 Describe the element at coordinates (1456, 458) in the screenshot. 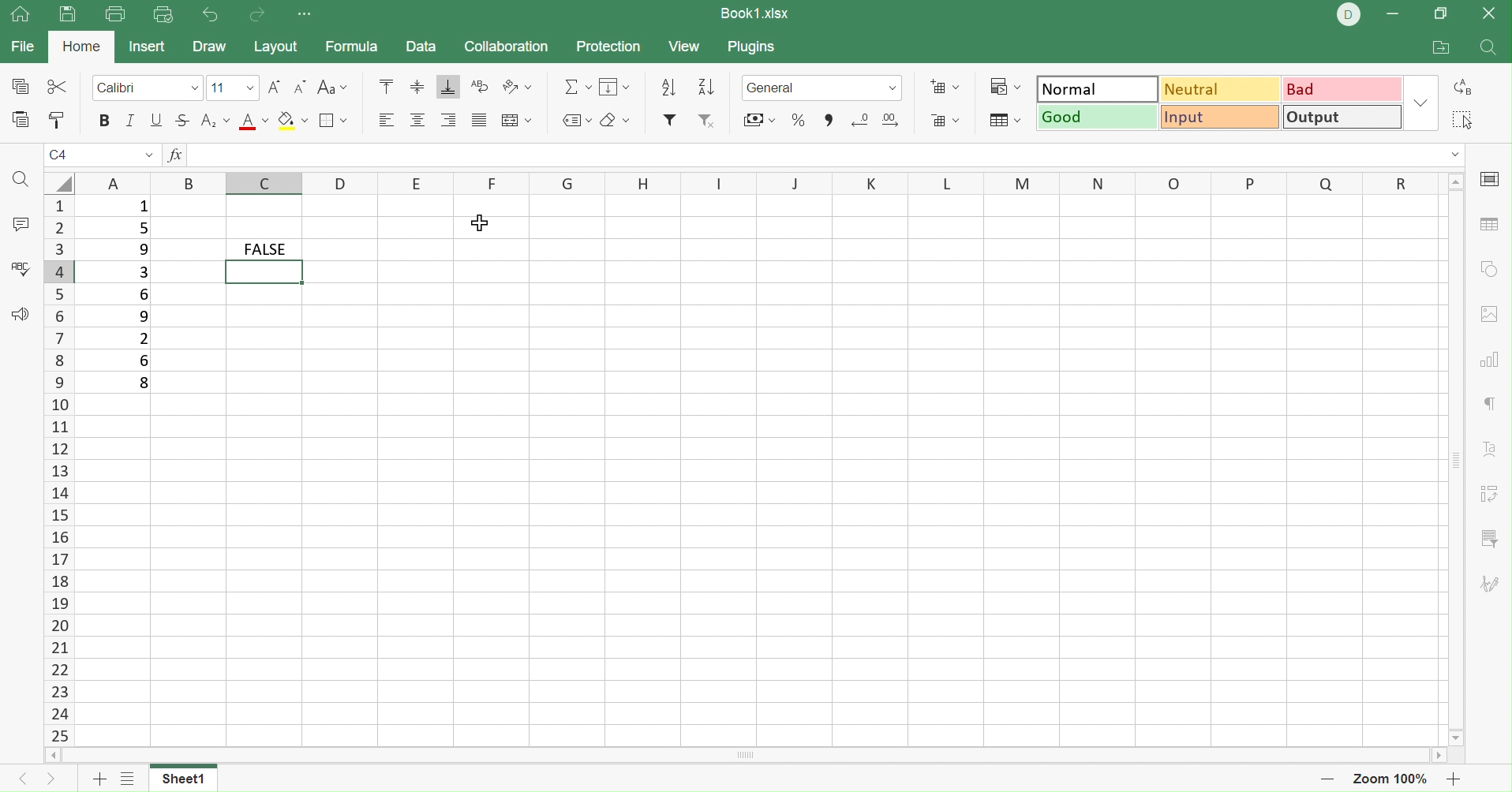

I see `Scroll bar` at that location.